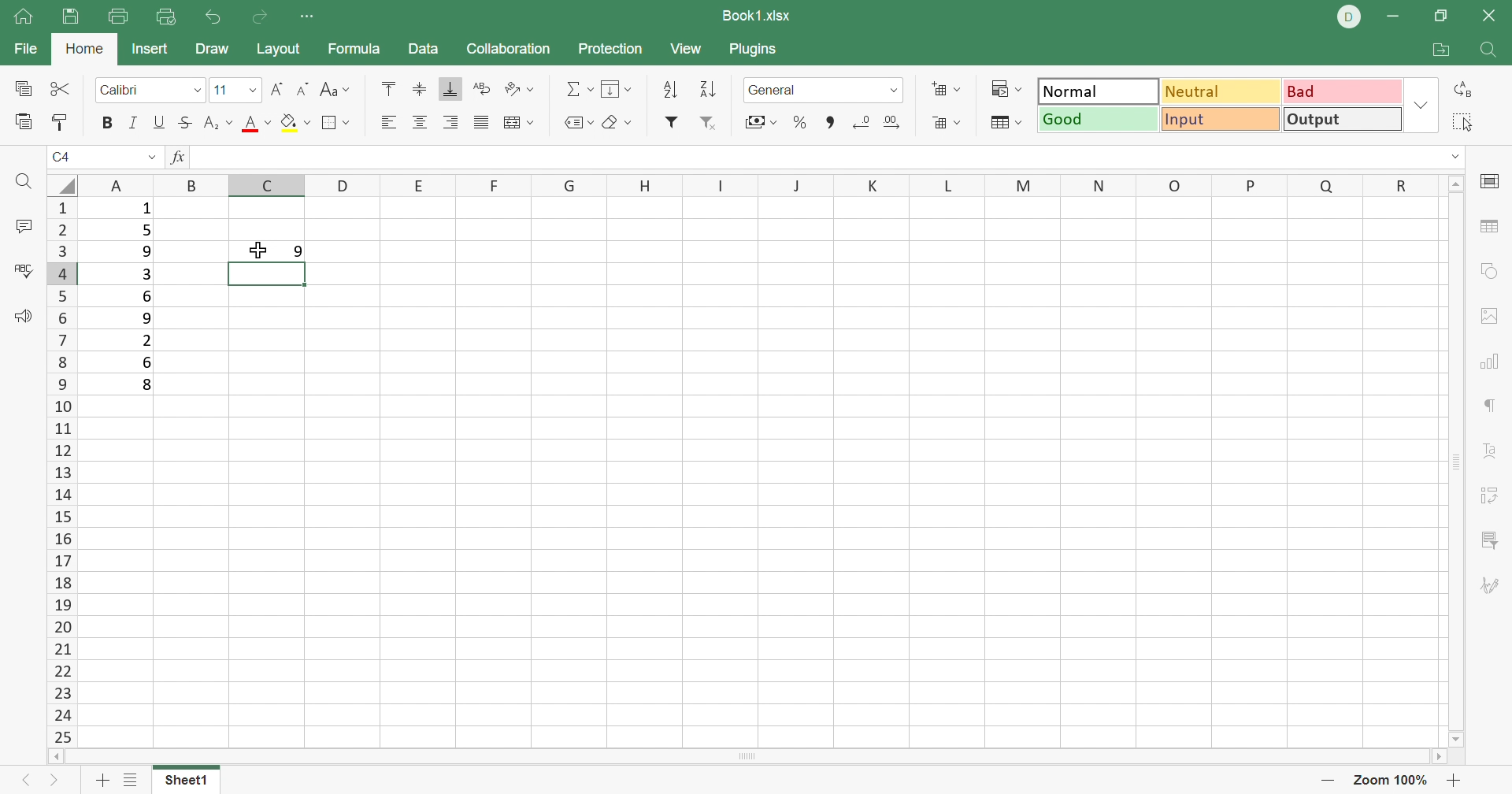  Describe the element at coordinates (670, 91) in the screenshot. I see `Ascending order` at that location.